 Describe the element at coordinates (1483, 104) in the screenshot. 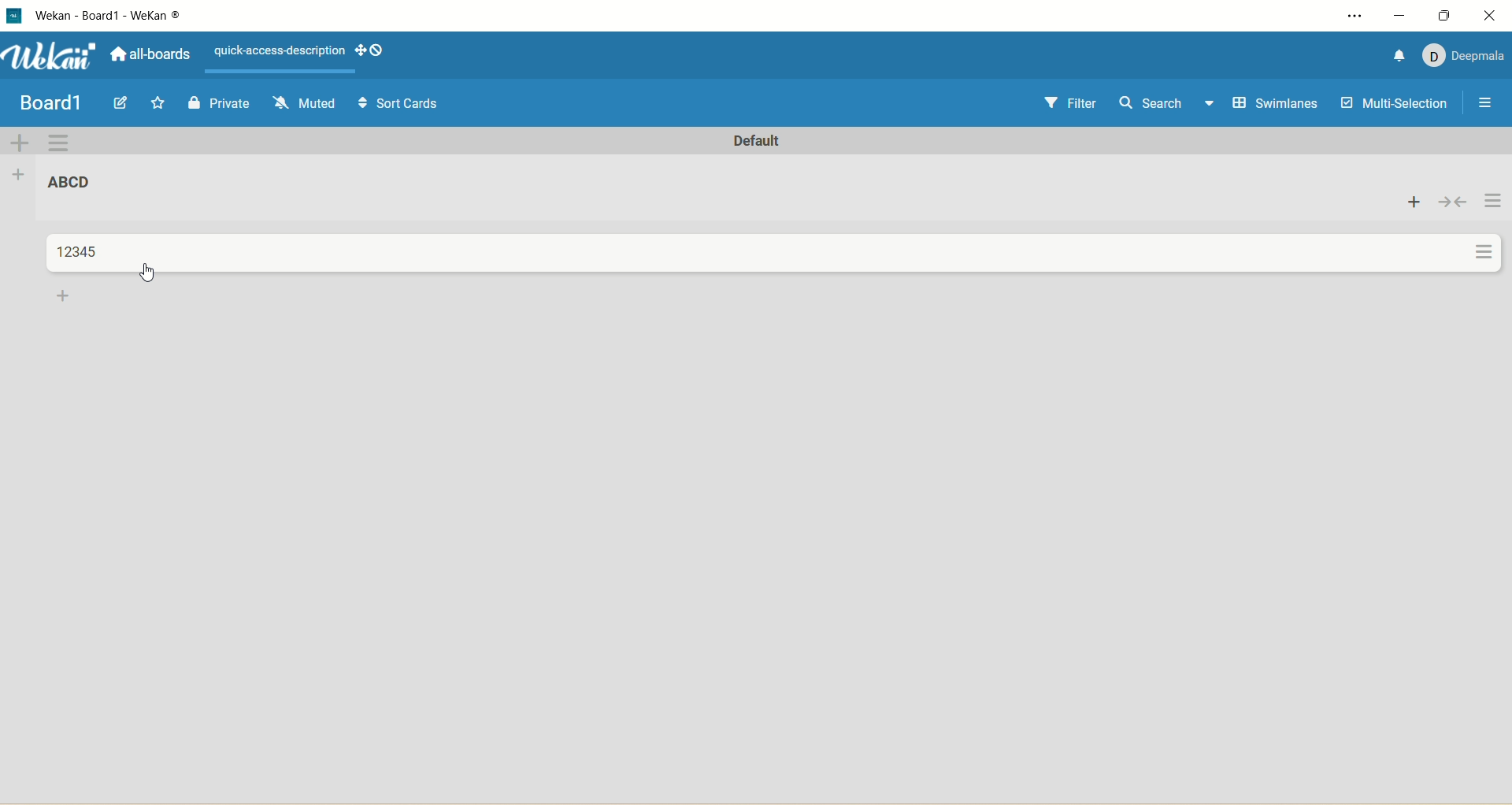

I see `open/close sidebar` at that location.